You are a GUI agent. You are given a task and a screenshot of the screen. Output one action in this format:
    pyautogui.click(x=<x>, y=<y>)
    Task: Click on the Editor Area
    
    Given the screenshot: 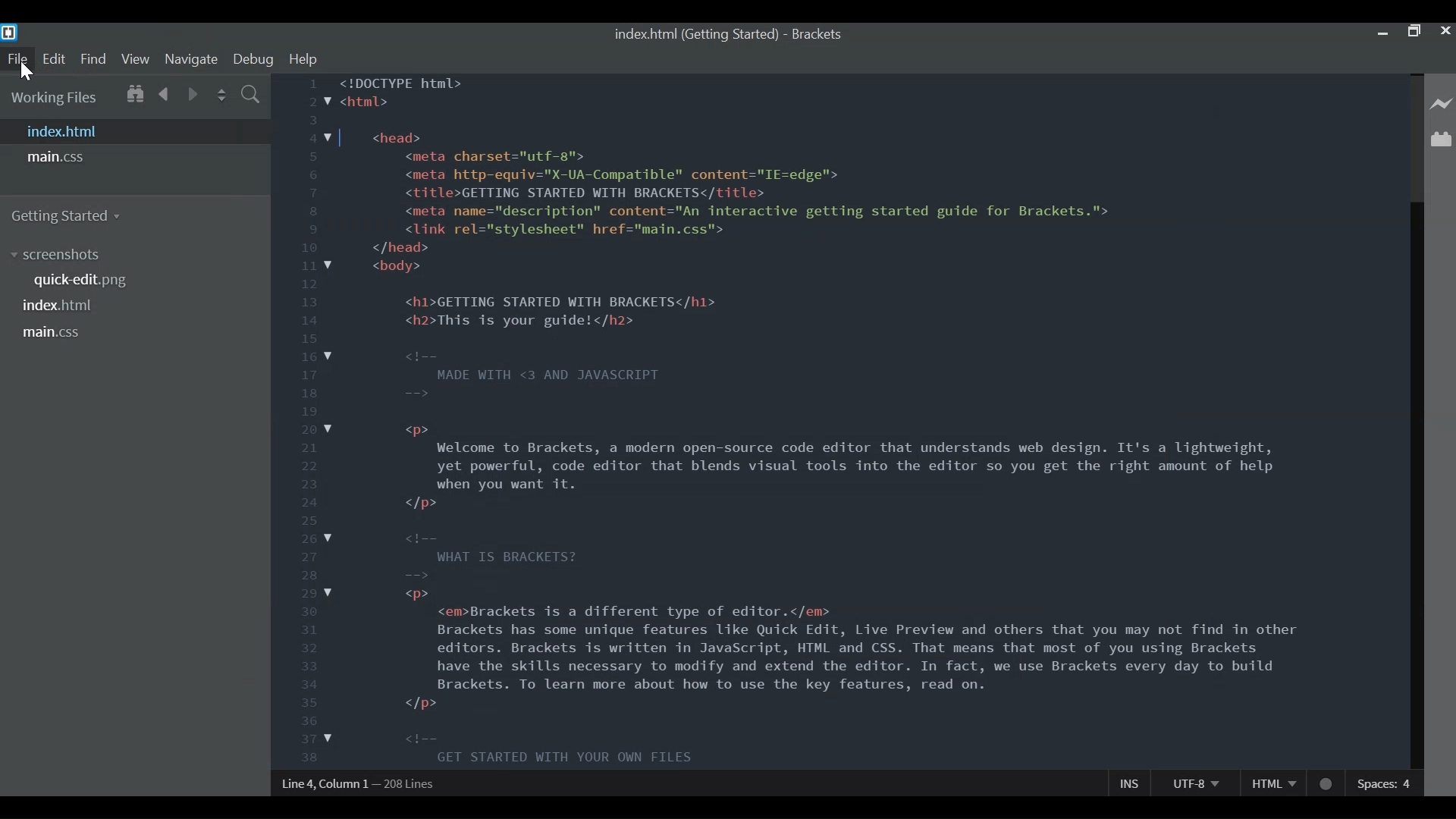 What is the action you would take?
    pyautogui.click(x=836, y=420)
    